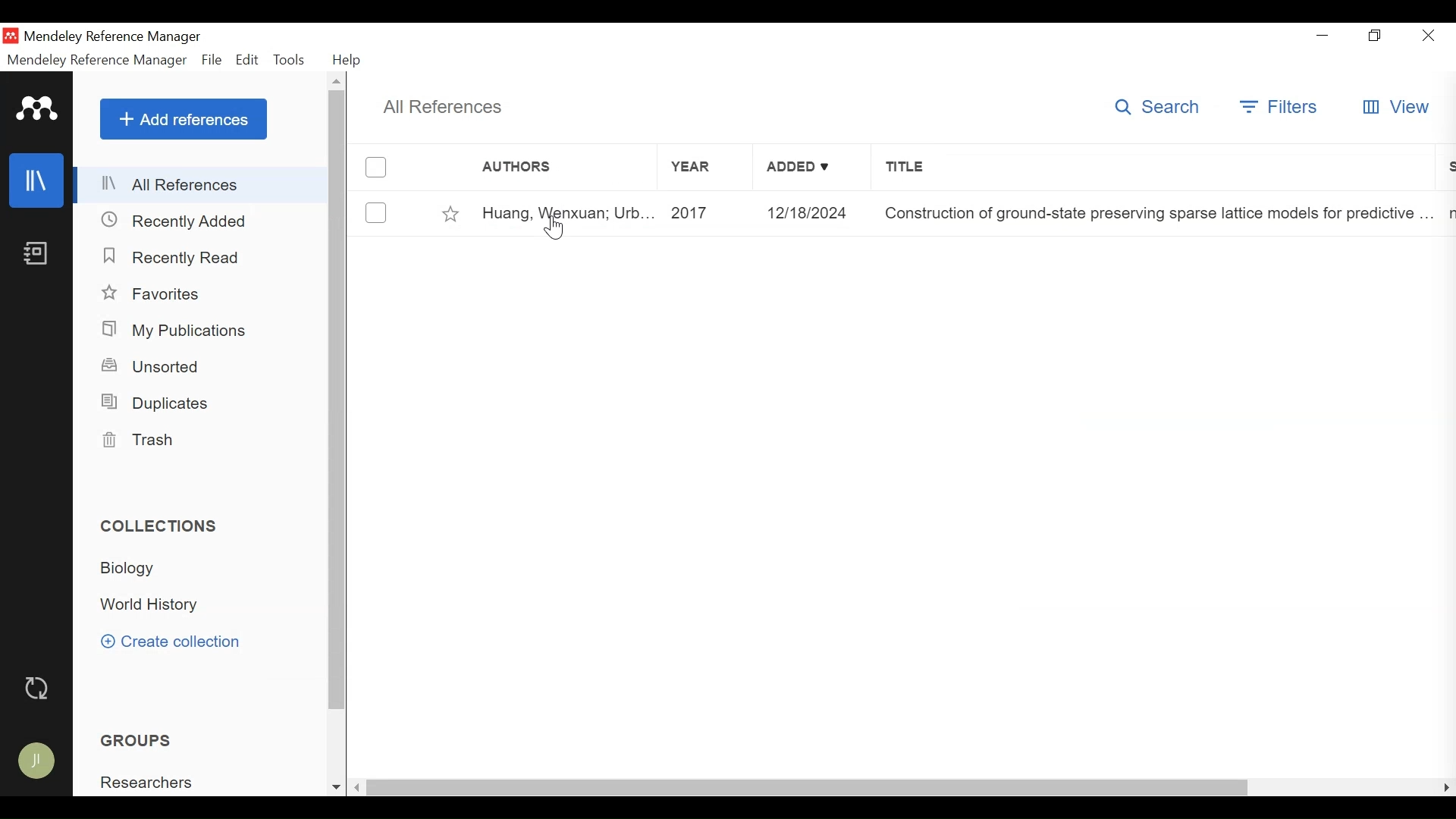 This screenshot has width=1456, height=819. Describe the element at coordinates (39, 761) in the screenshot. I see `Avatar` at that location.